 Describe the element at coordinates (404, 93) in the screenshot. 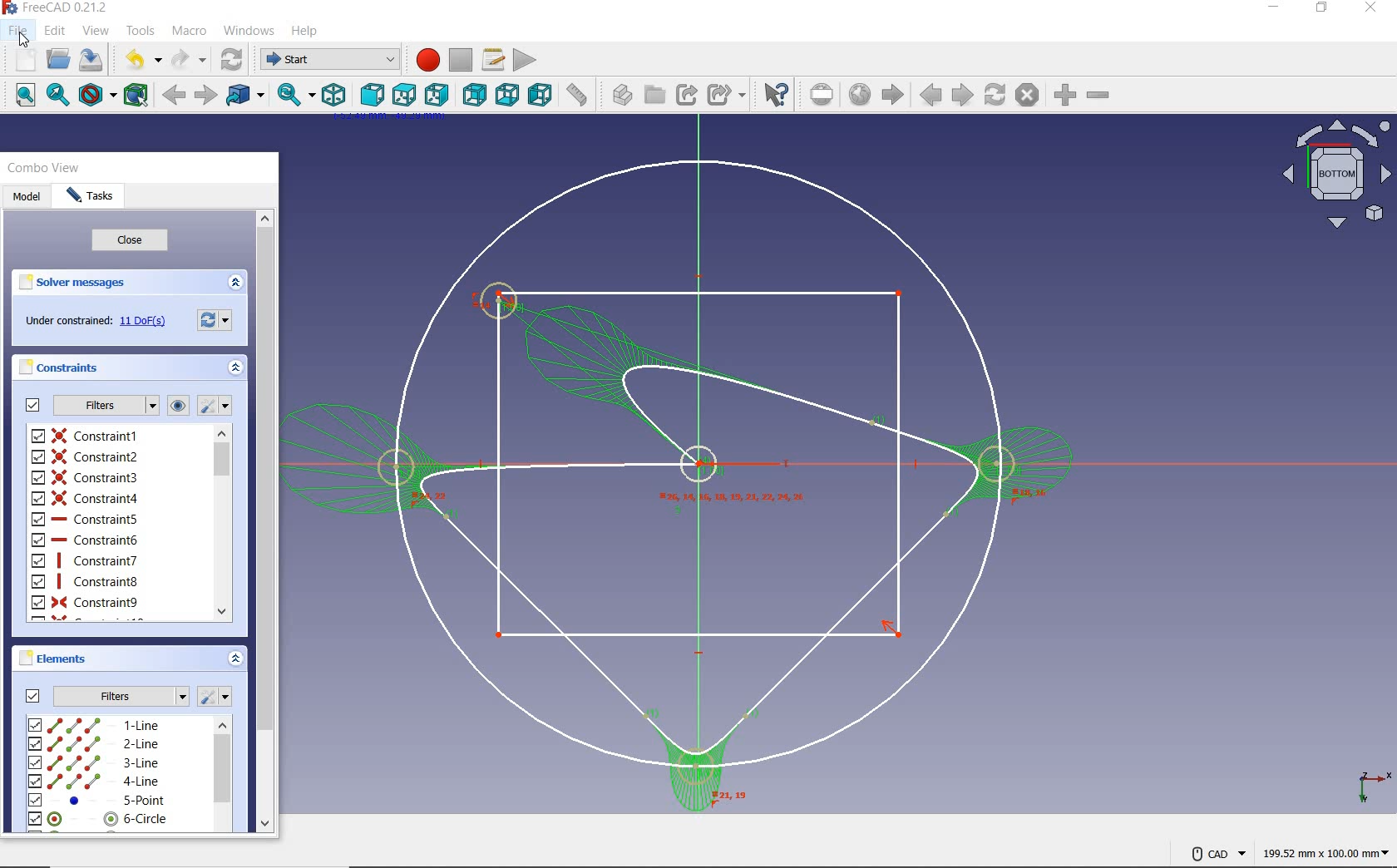

I see `top` at that location.